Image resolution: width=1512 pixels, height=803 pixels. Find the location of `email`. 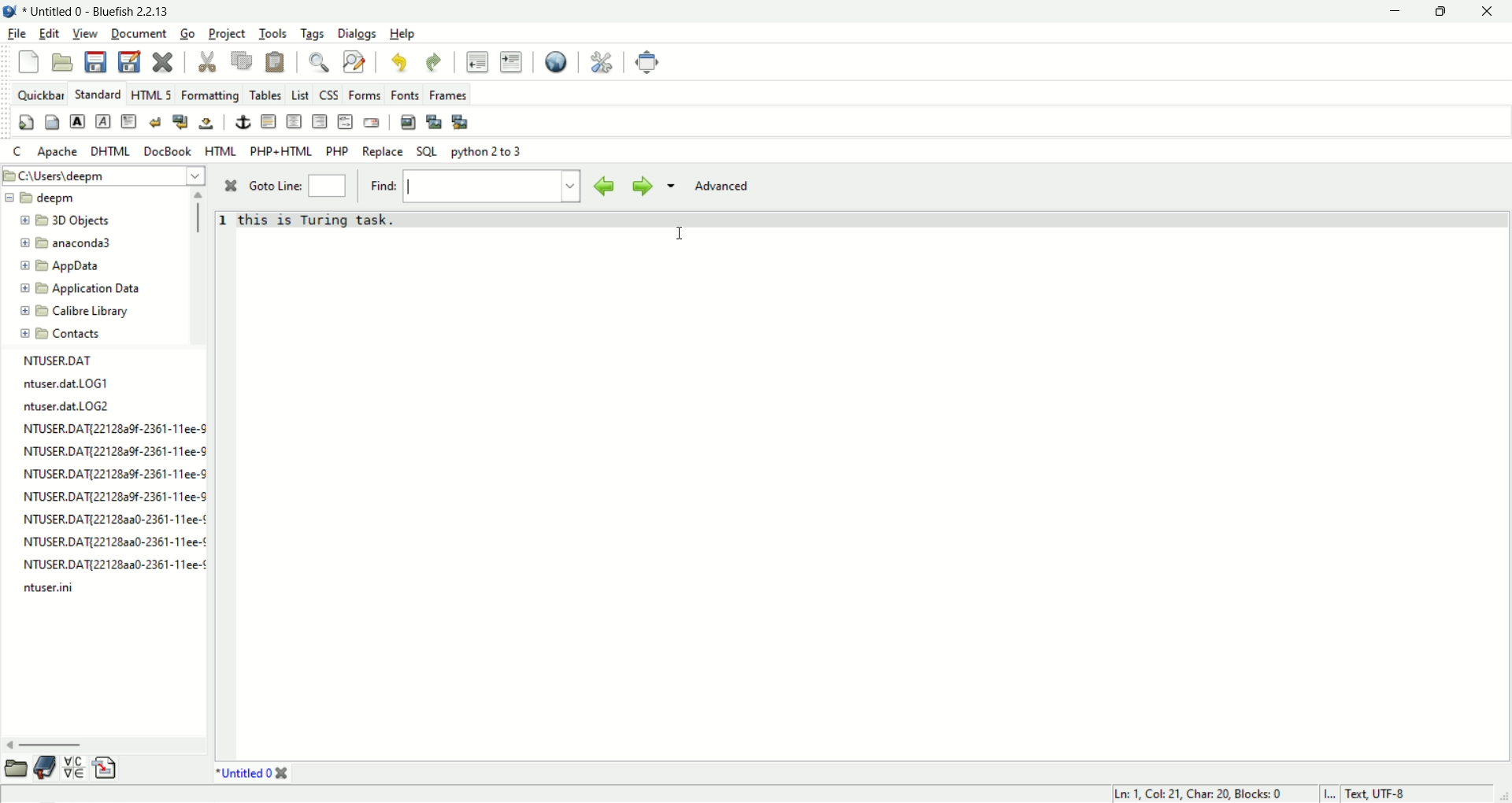

email is located at coordinates (371, 123).